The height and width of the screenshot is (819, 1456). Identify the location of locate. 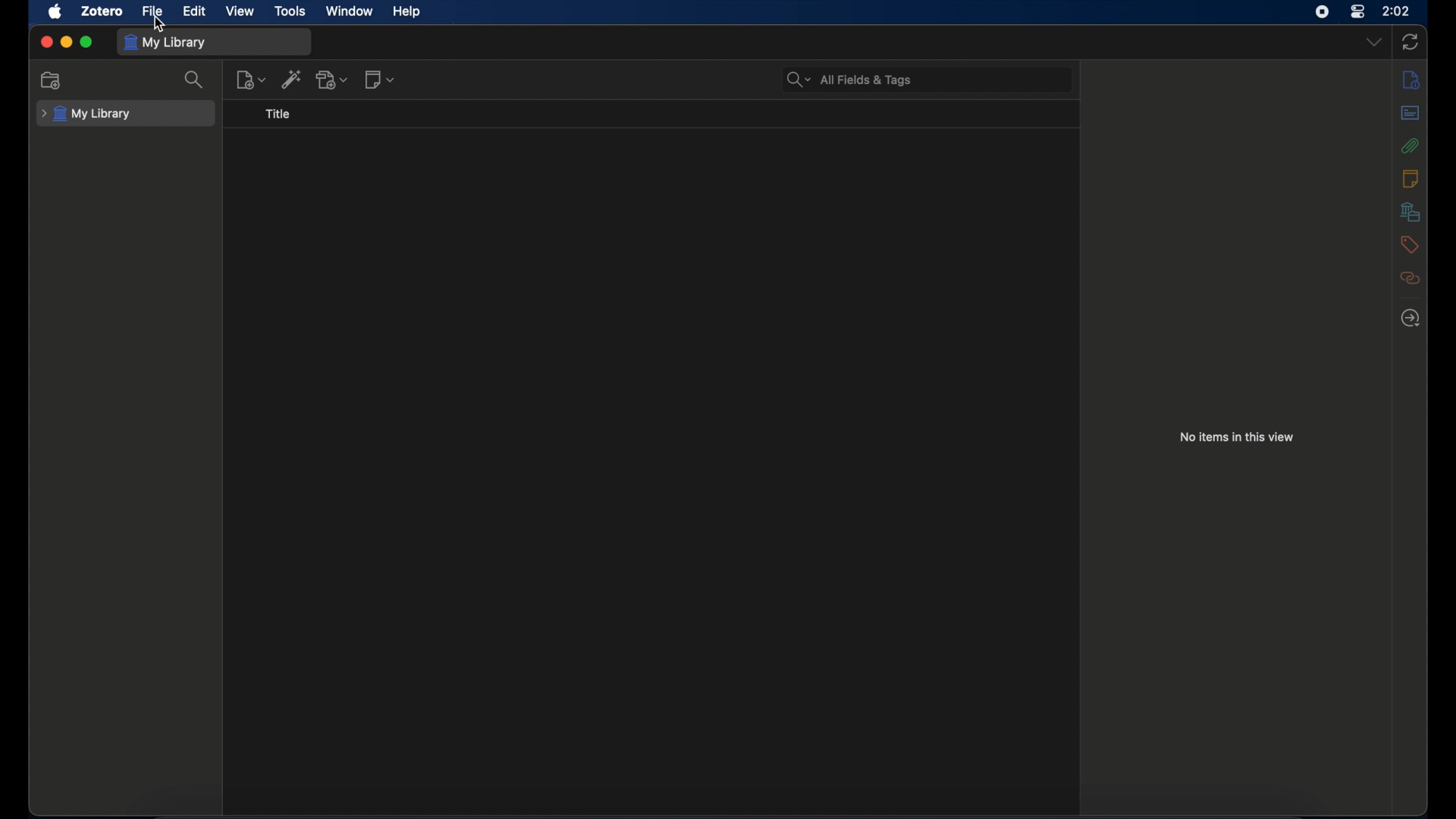
(1412, 318).